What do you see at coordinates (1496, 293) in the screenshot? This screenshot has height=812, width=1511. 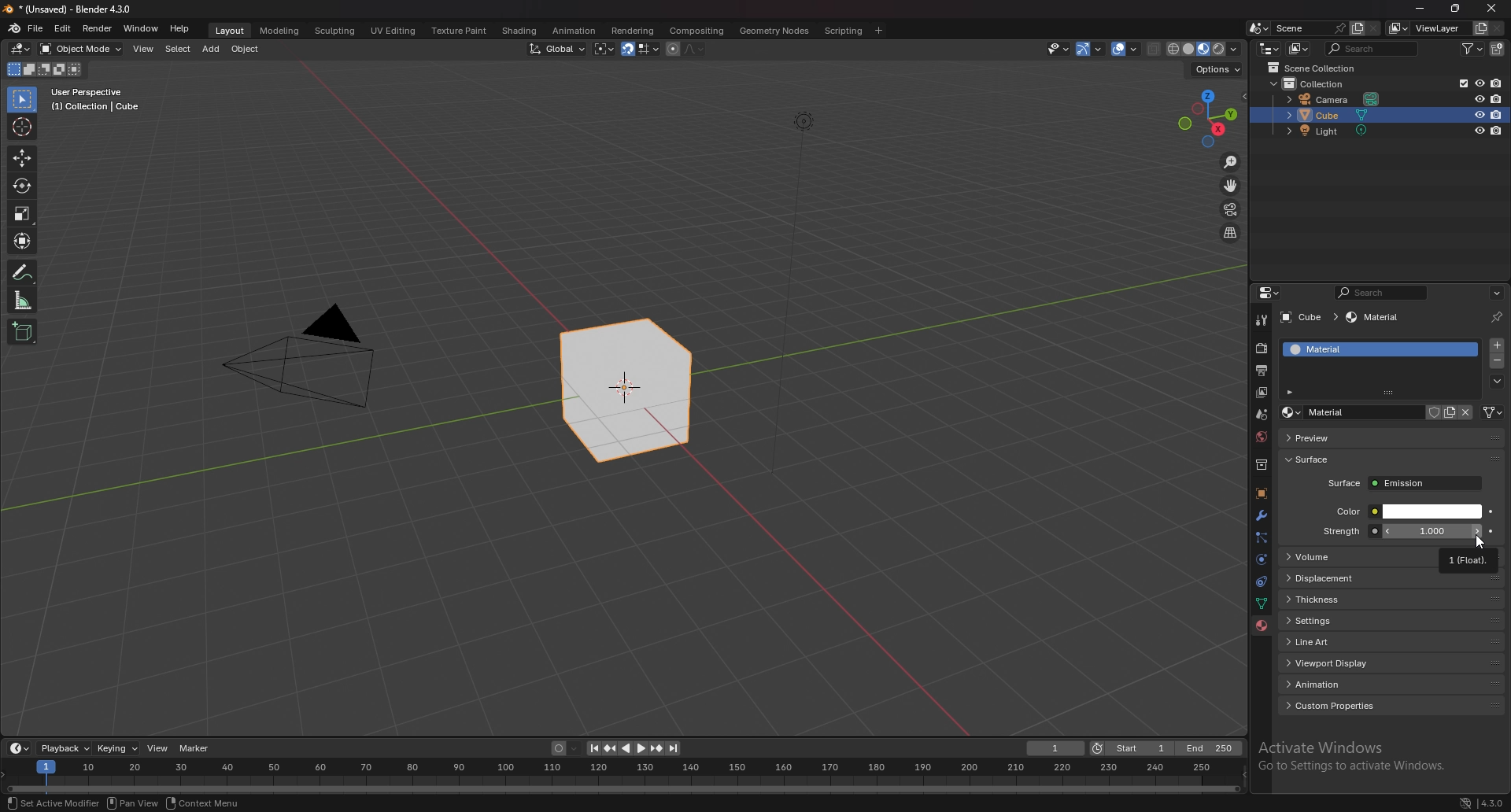 I see `options` at bounding box center [1496, 293].